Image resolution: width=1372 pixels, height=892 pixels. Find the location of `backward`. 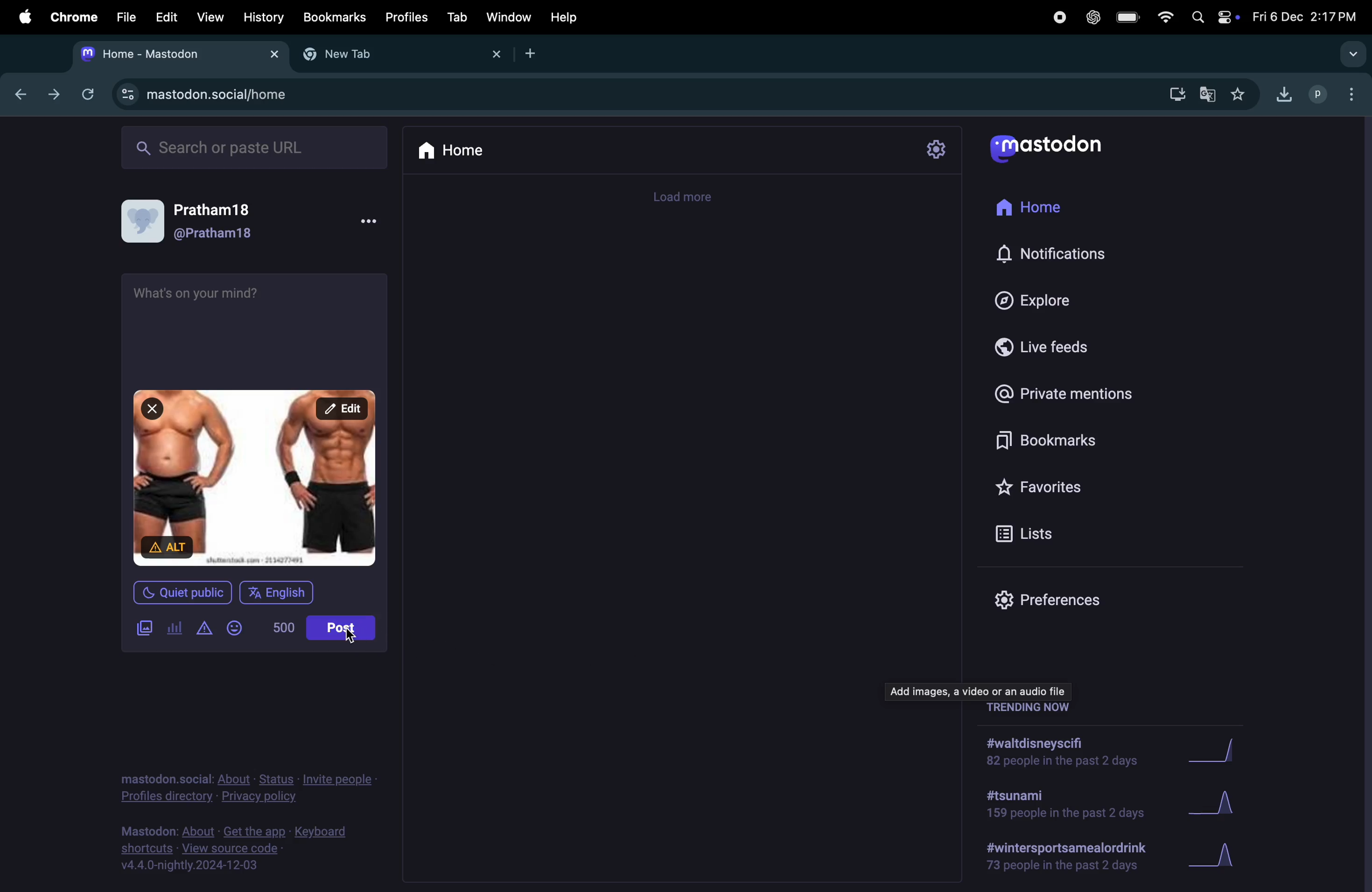

backward is located at coordinates (26, 96).